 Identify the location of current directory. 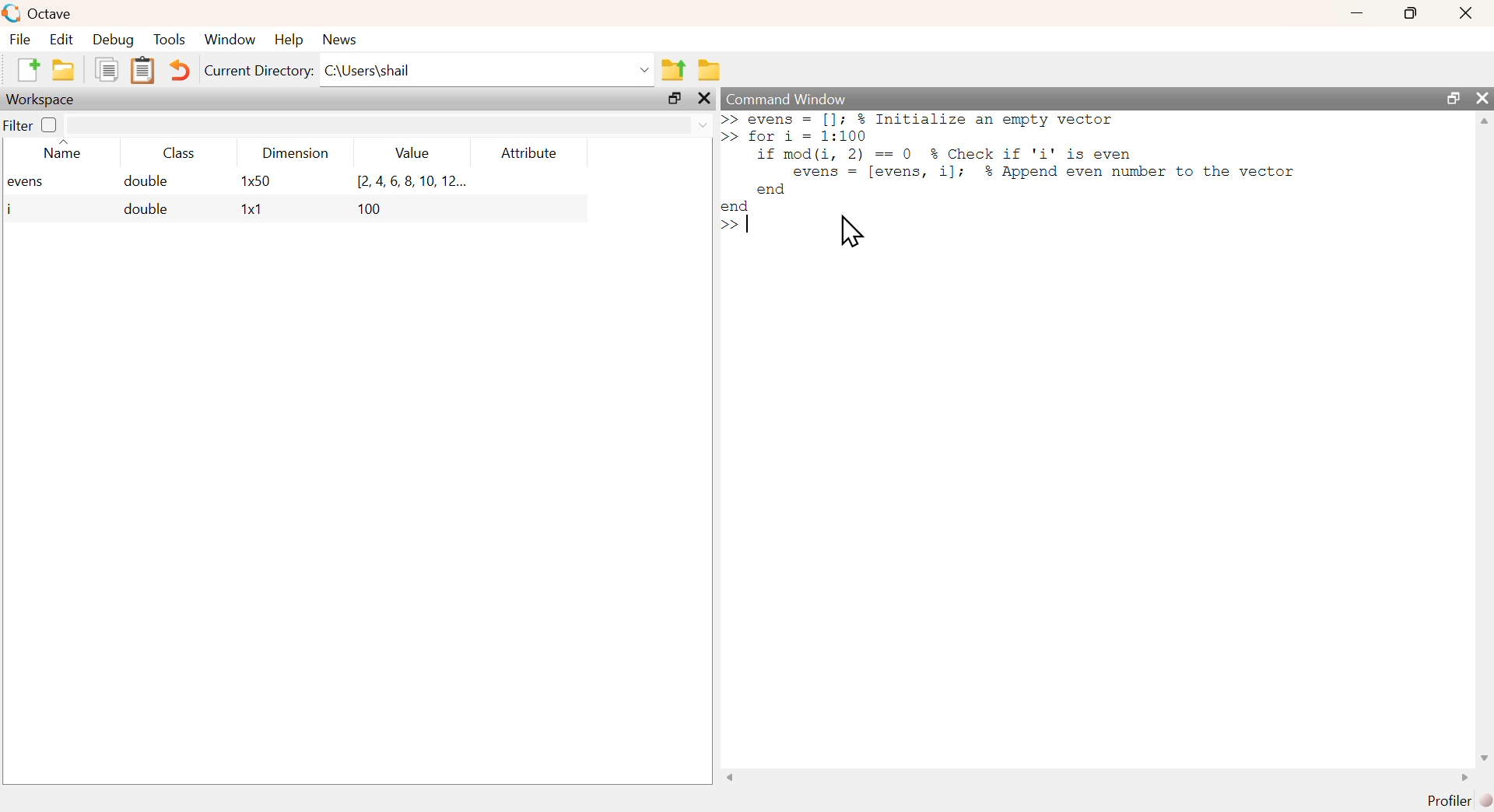
(258, 70).